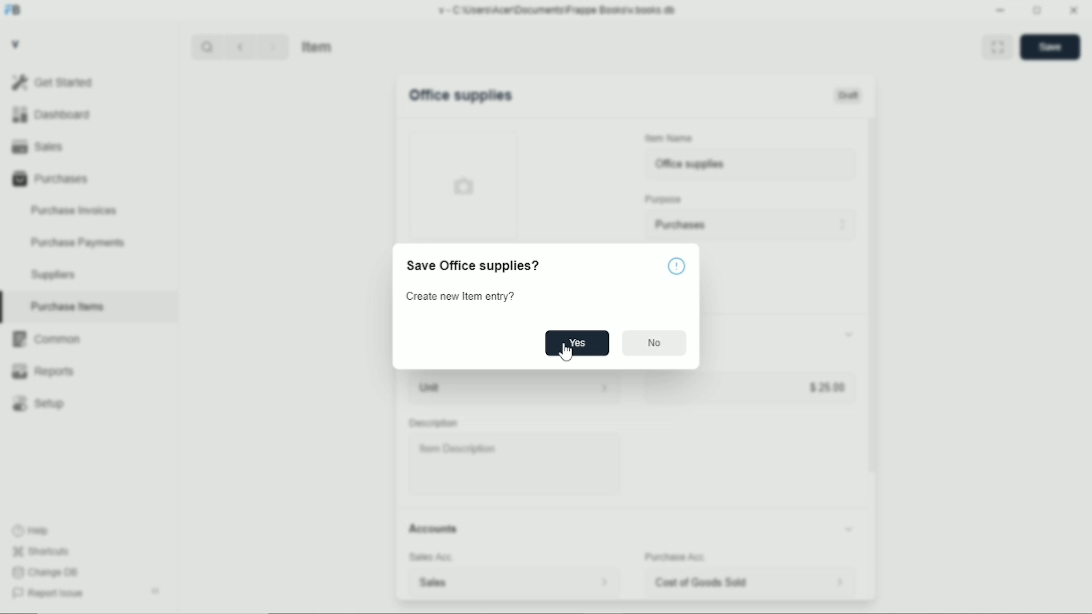  Describe the element at coordinates (465, 185) in the screenshot. I see `photo upload field` at that location.